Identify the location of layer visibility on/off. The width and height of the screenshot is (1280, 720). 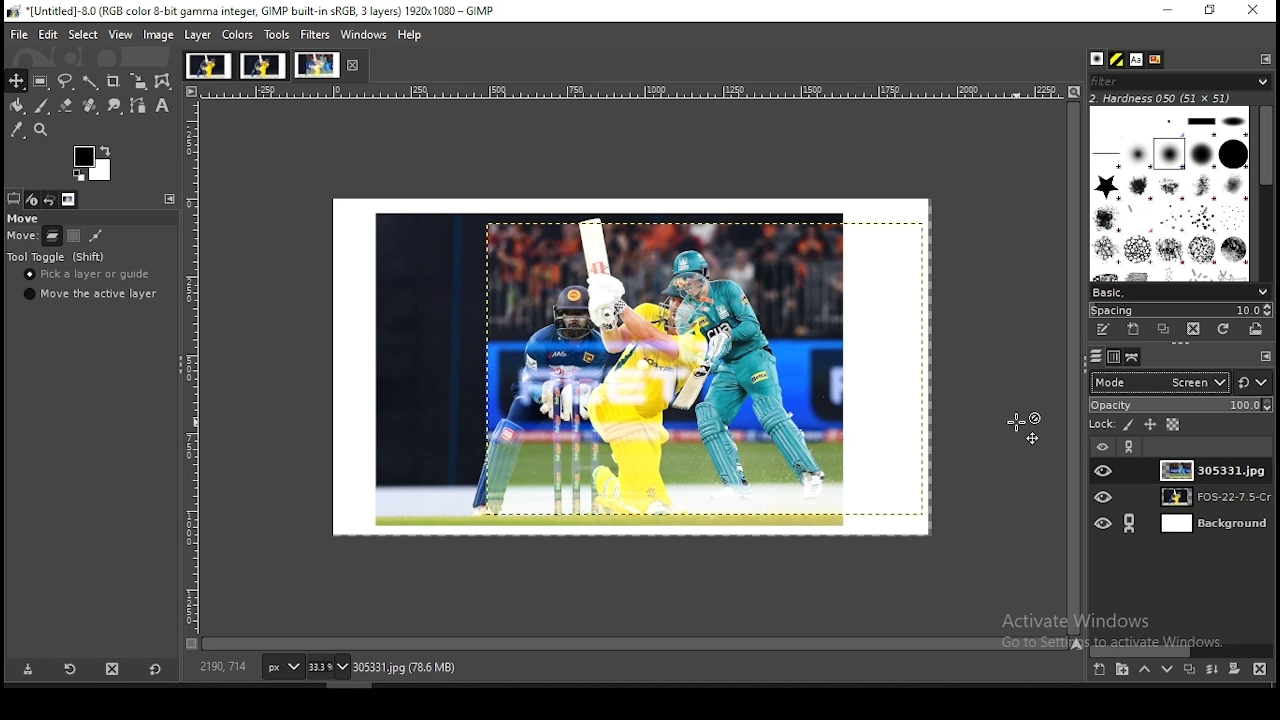
(1104, 471).